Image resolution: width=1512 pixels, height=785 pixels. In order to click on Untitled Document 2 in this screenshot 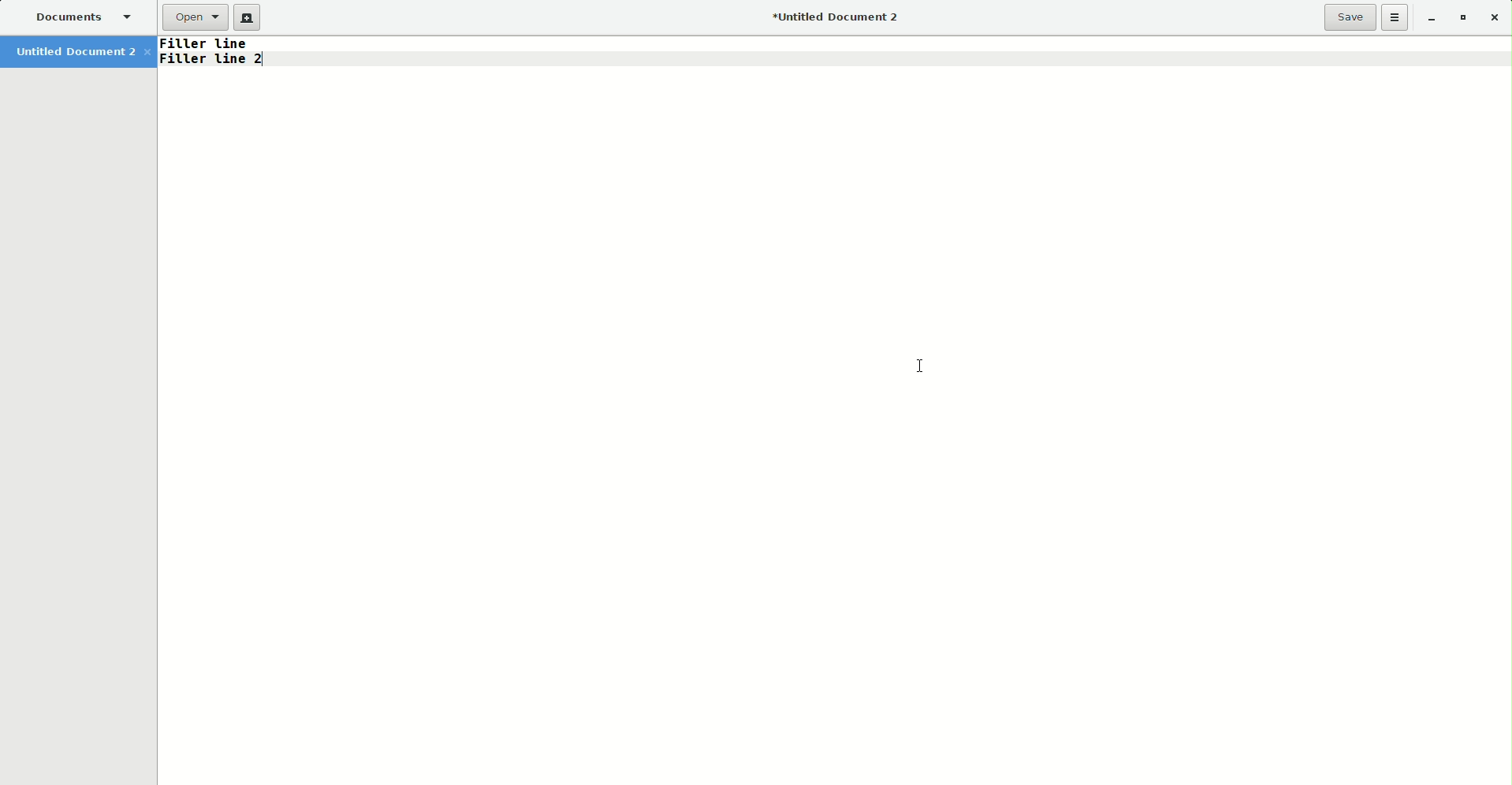, I will do `click(838, 19)`.